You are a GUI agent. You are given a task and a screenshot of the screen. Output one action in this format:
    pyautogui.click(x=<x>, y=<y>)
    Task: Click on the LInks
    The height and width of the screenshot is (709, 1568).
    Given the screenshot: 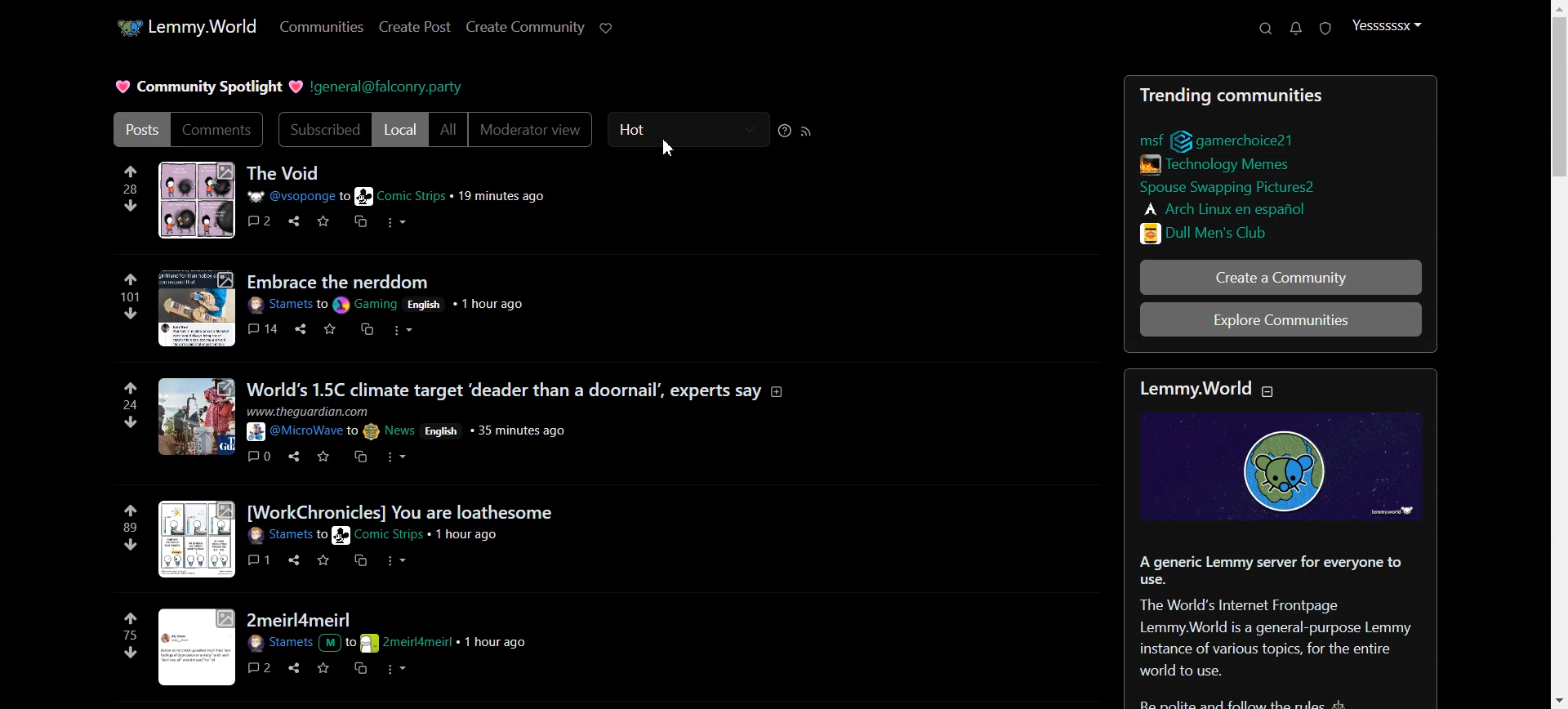 What is the action you would take?
    pyautogui.click(x=1162, y=140)
    